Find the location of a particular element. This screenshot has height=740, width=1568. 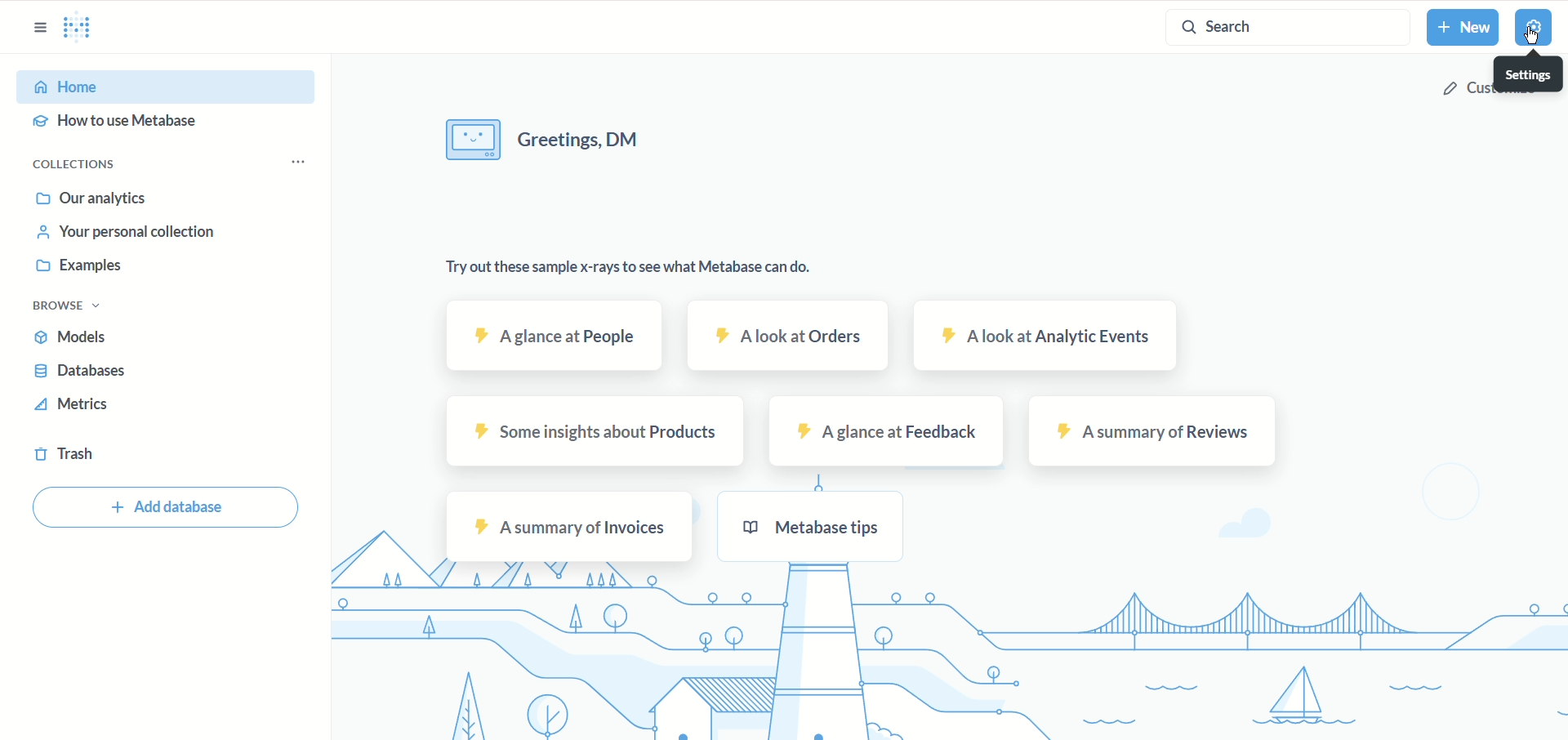

a summary of Reviews is located at coordinates (1154, 432).